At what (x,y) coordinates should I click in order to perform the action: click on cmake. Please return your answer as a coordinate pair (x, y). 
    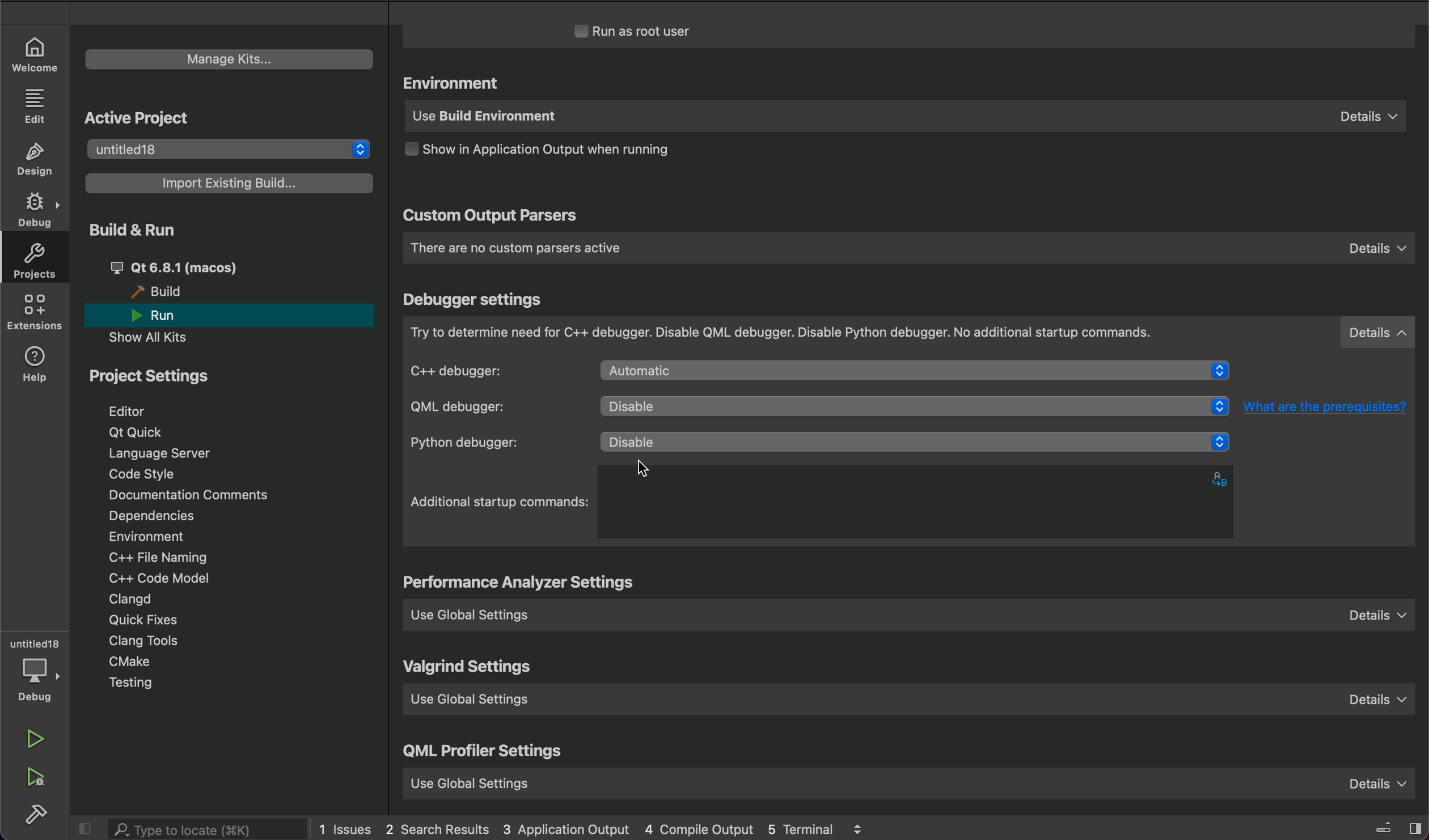
    Looking at the image, I should click on (130, 661).